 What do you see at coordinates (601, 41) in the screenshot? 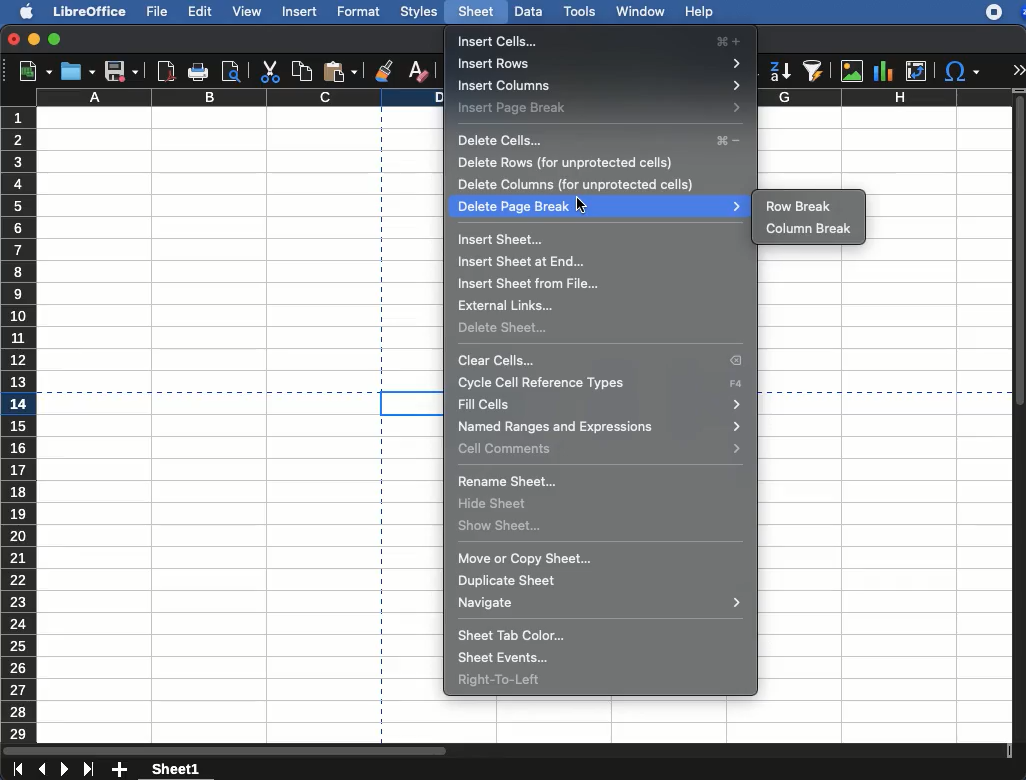
I see `insert cells` at bounding box center [601, 41].